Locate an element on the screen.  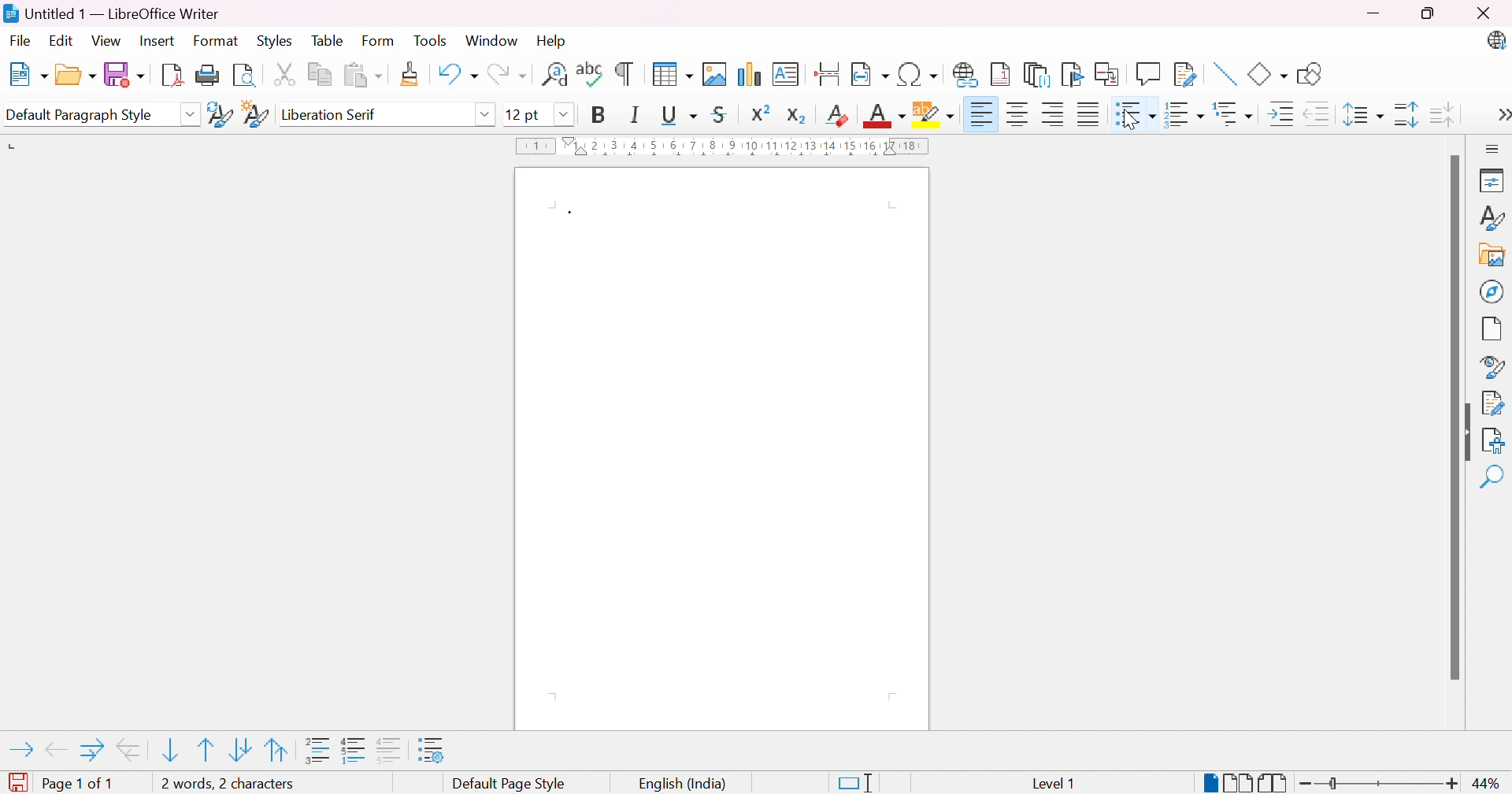
Insert line. is located at coordinates (1227, 75).